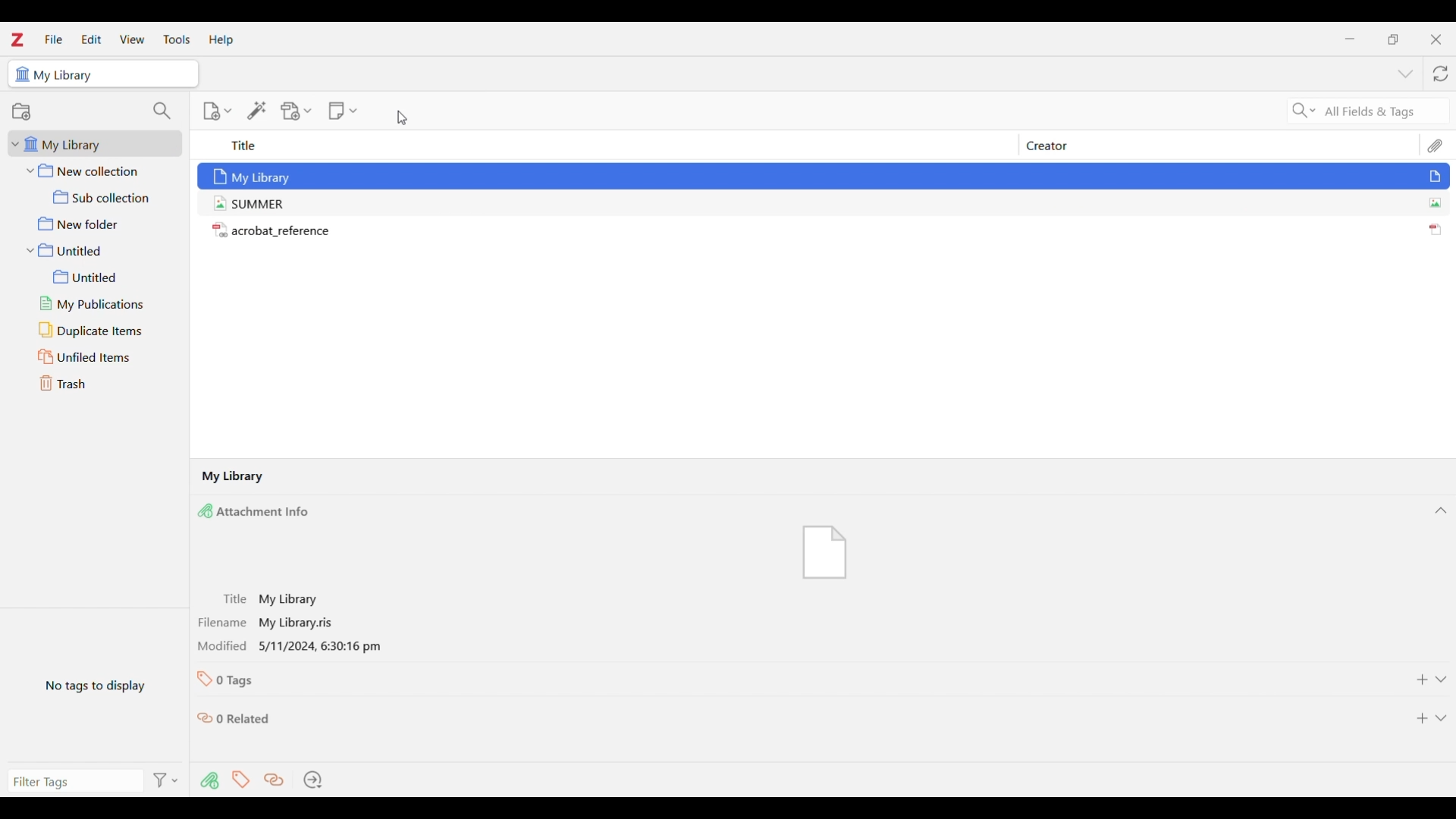 Image resolution: width=1456 pixels, height=819 pixels. I want to click on Add item, so click(209, 112).